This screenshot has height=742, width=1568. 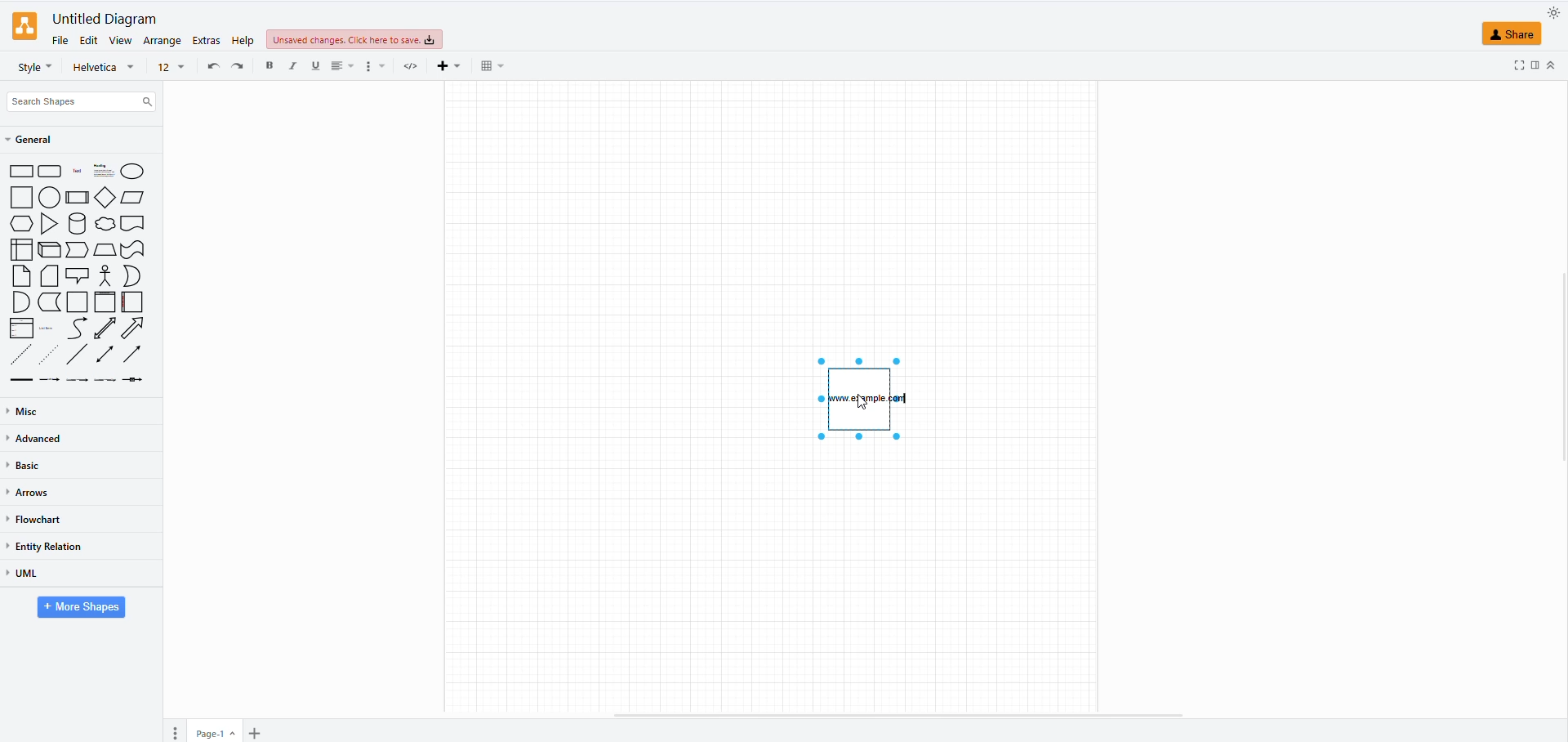 What do you see at coordinates (22, 329) in the screenshot?
I see `list` at bounding box center [22, 329].